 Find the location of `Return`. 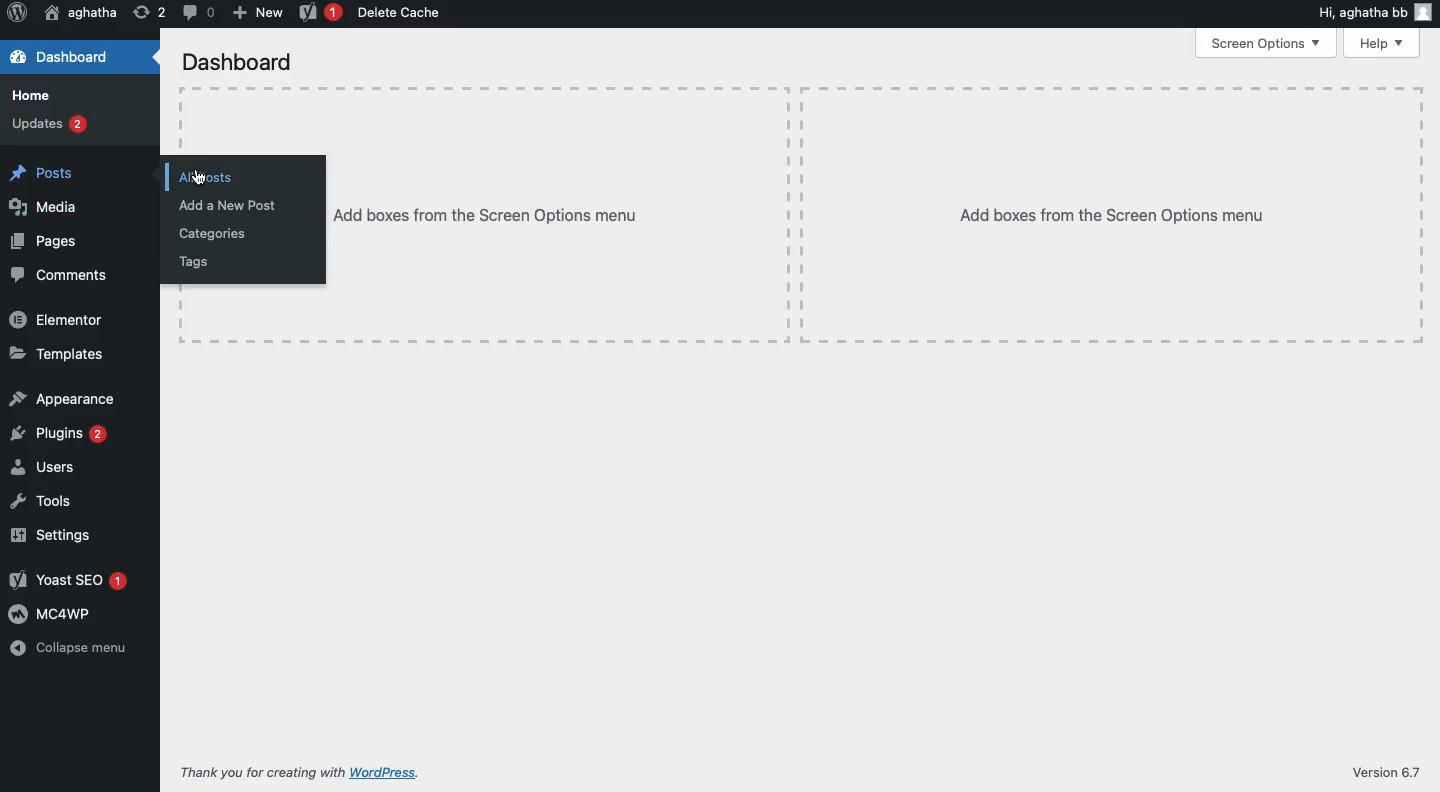

Return is located at coordinates (147, 12).